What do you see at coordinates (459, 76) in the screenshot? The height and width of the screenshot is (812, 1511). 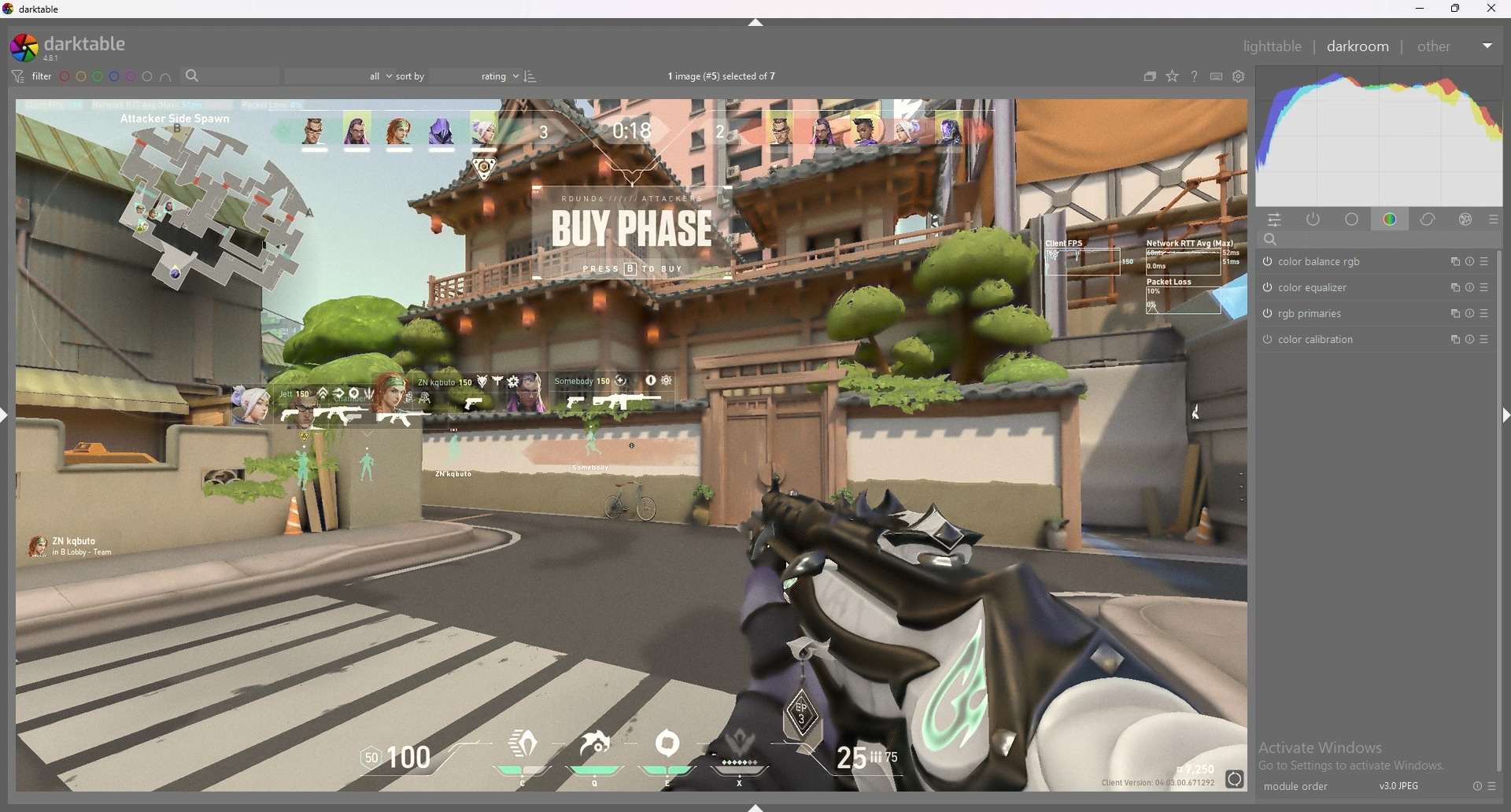 I see `sort by` at bounding box center [459, 76].